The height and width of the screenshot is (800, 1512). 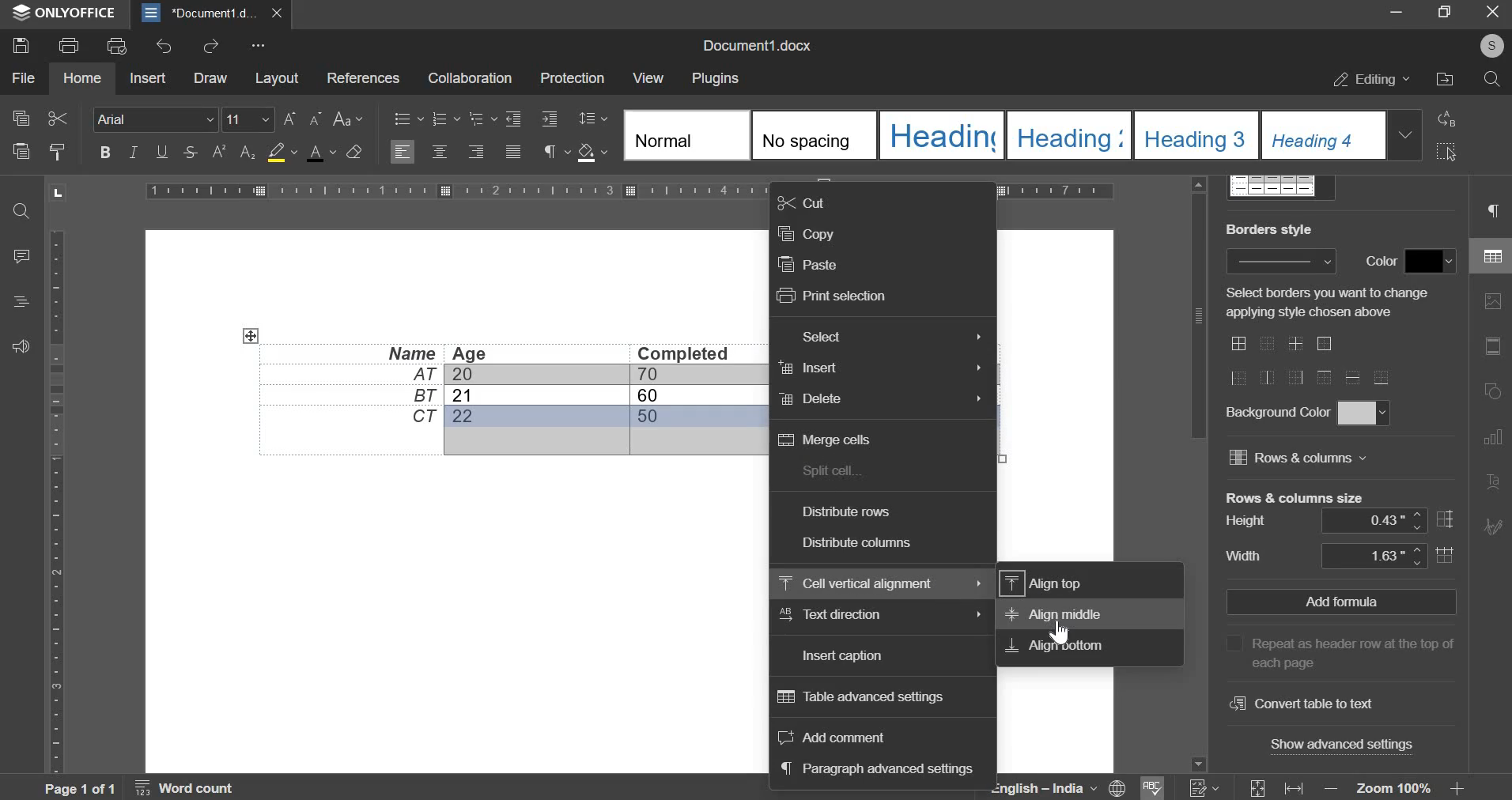 I want to click on add comment, so click(x=831, y=735).